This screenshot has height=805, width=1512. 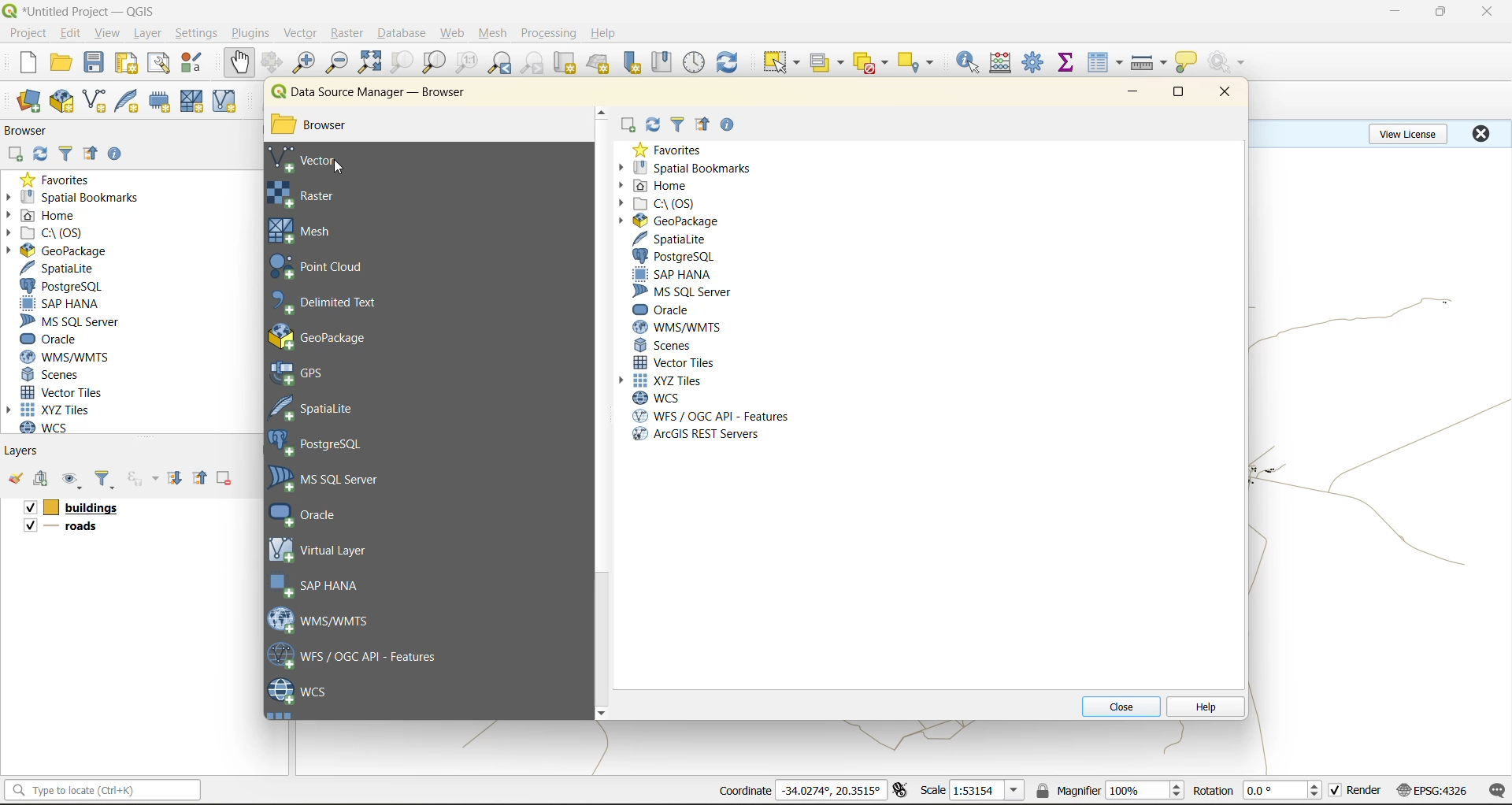 What do you see at coordinates (667, 61) in the screenshot?
I see `show spatial bookmark` at bounding box center [667, 61].